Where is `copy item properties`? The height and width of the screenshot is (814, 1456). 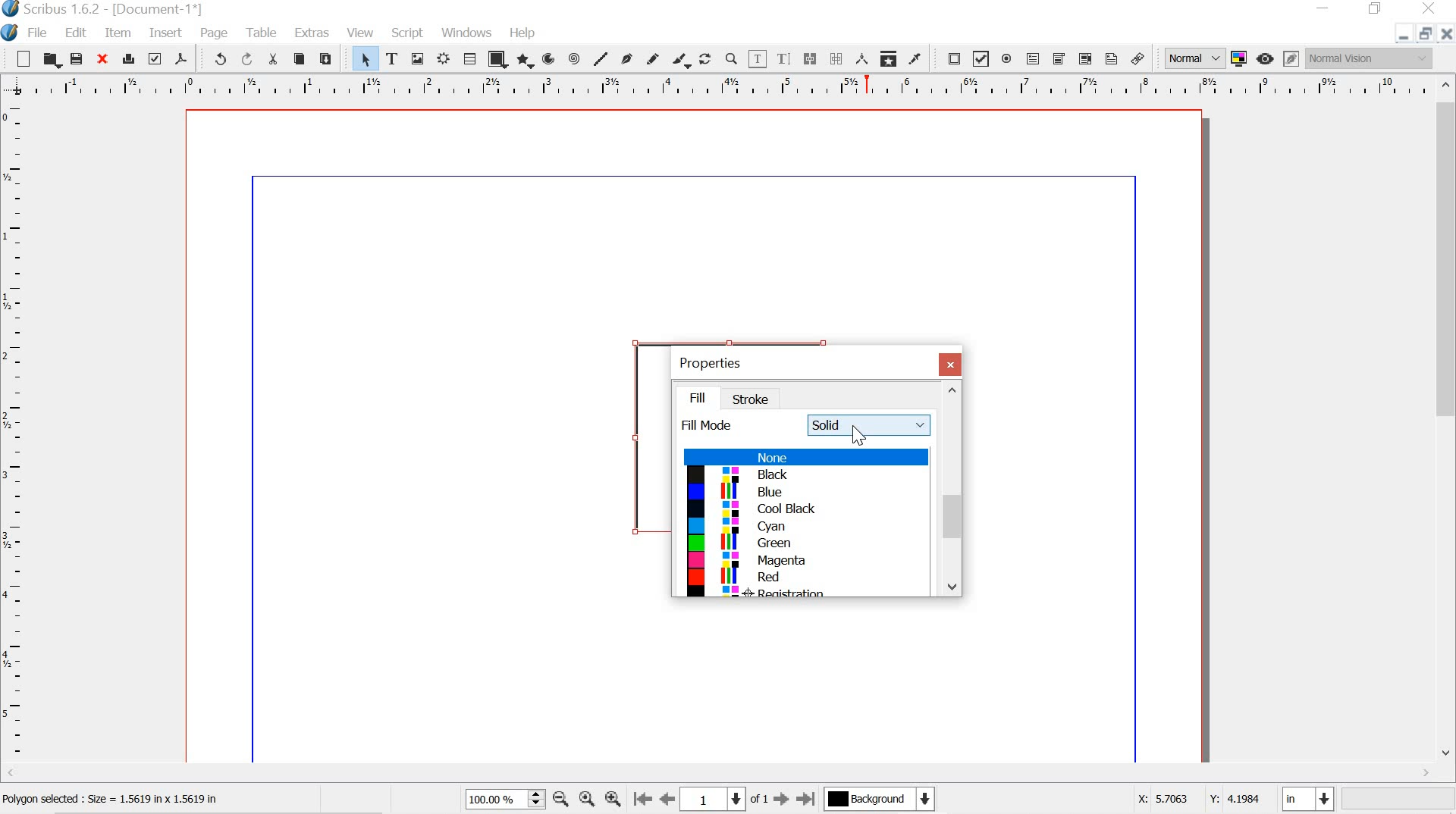
copy item properties is located at coordinates (887, 58).